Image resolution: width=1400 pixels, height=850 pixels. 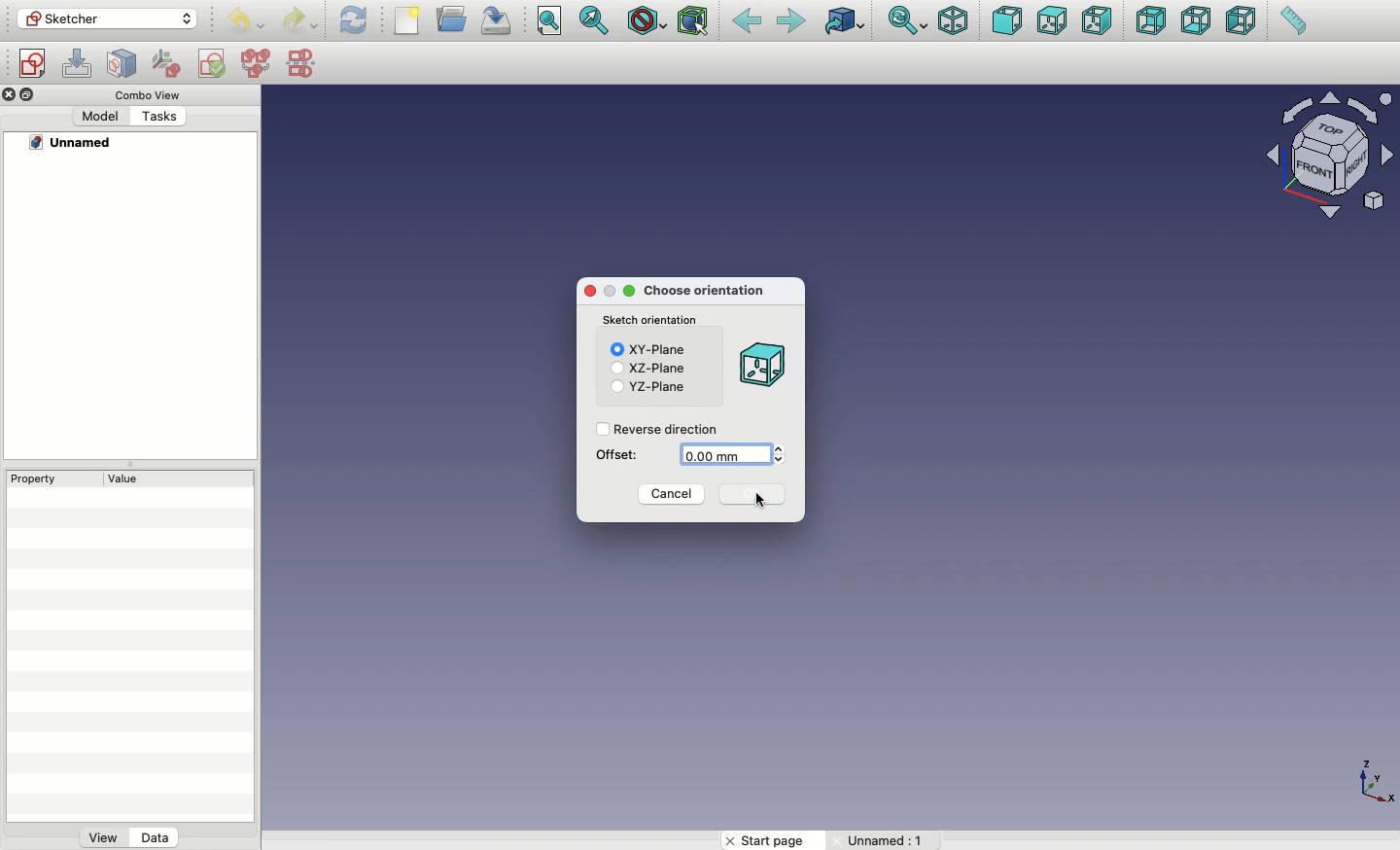 What do you see at coordinates (142, 94) in the screenshot?
I see `` at bounding box center [142, 94].